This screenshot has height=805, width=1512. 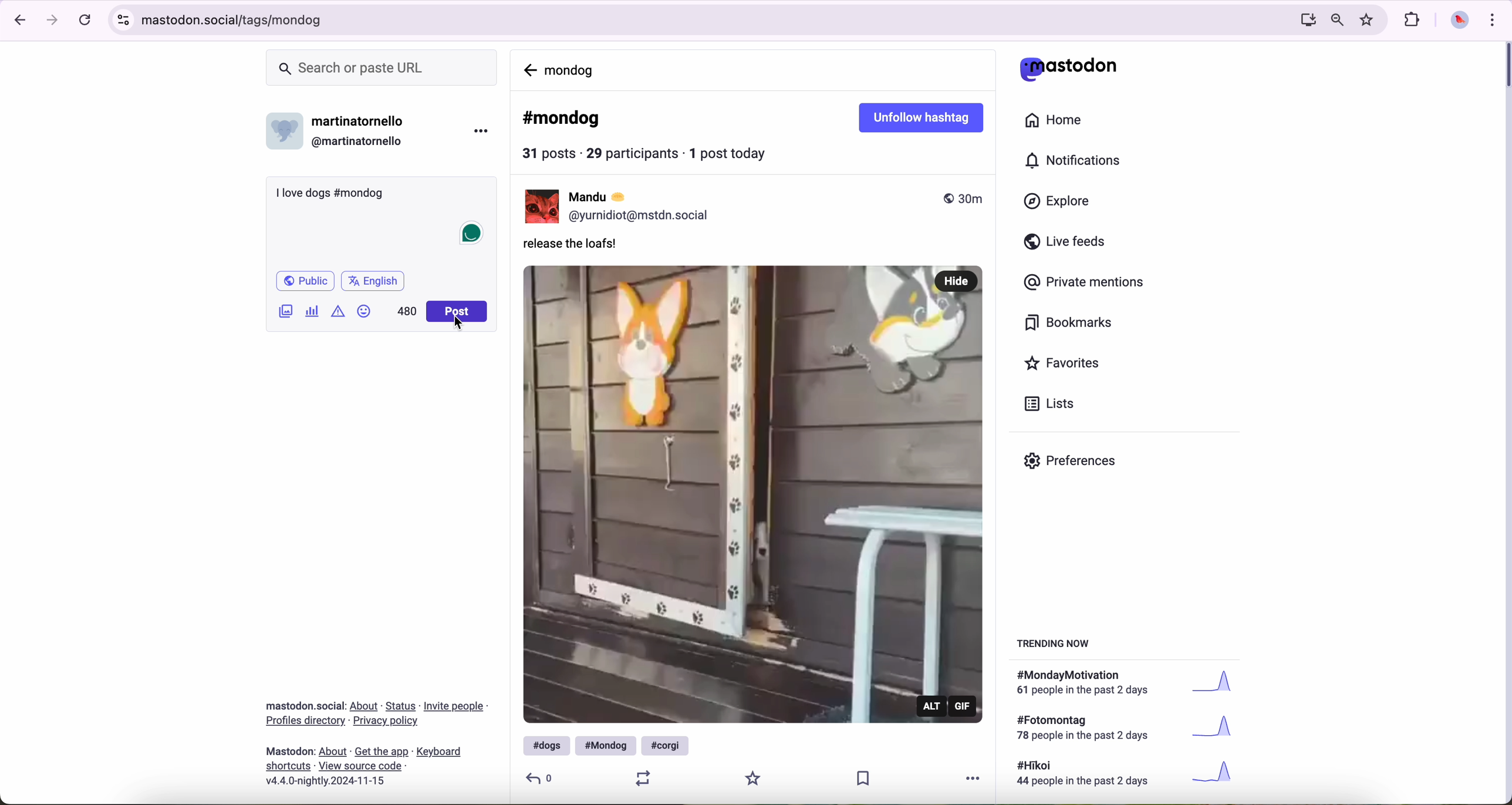 I want to click on 29 participants, so click(x=632, y=153).